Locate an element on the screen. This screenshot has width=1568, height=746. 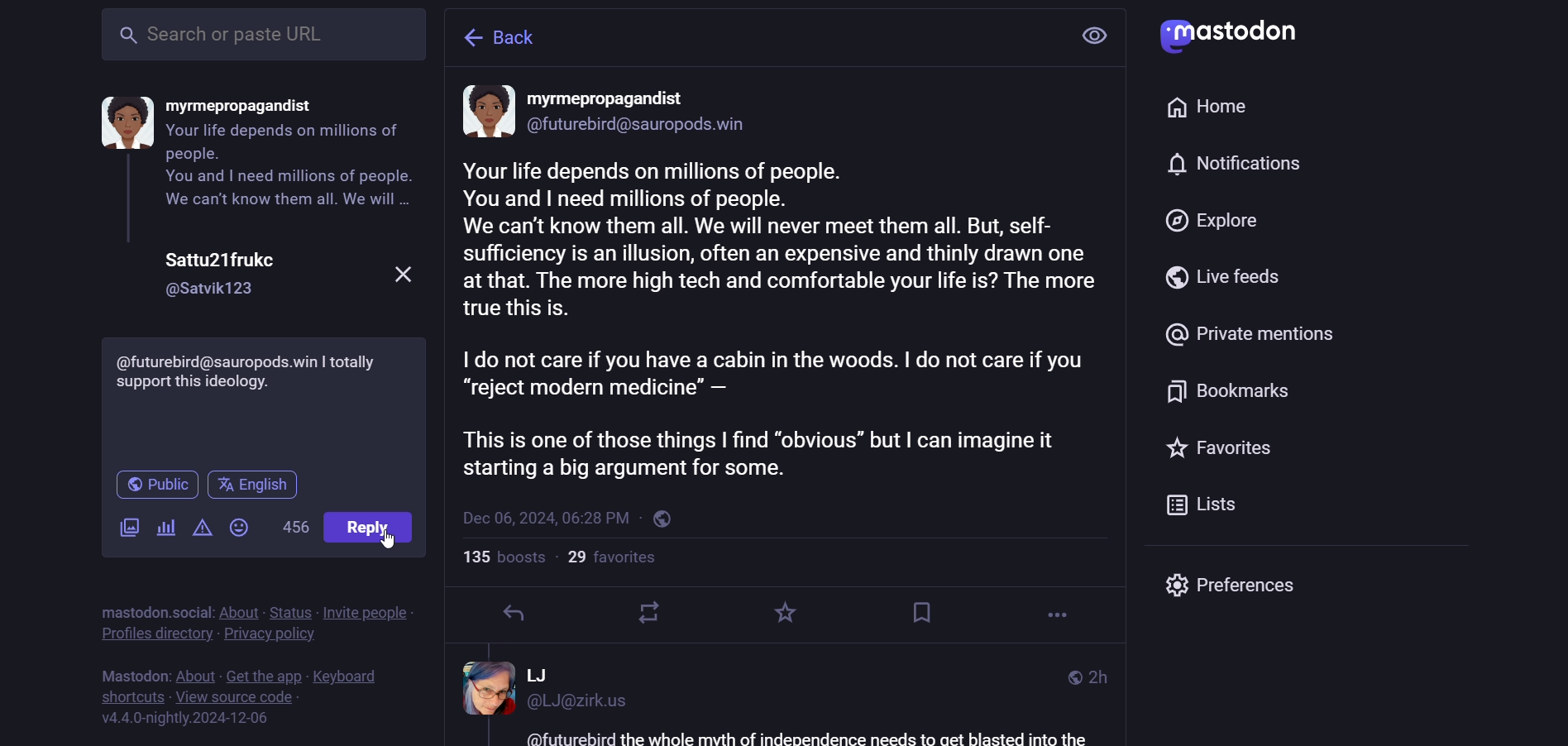
favorite is located at coordinates (1221, 450).